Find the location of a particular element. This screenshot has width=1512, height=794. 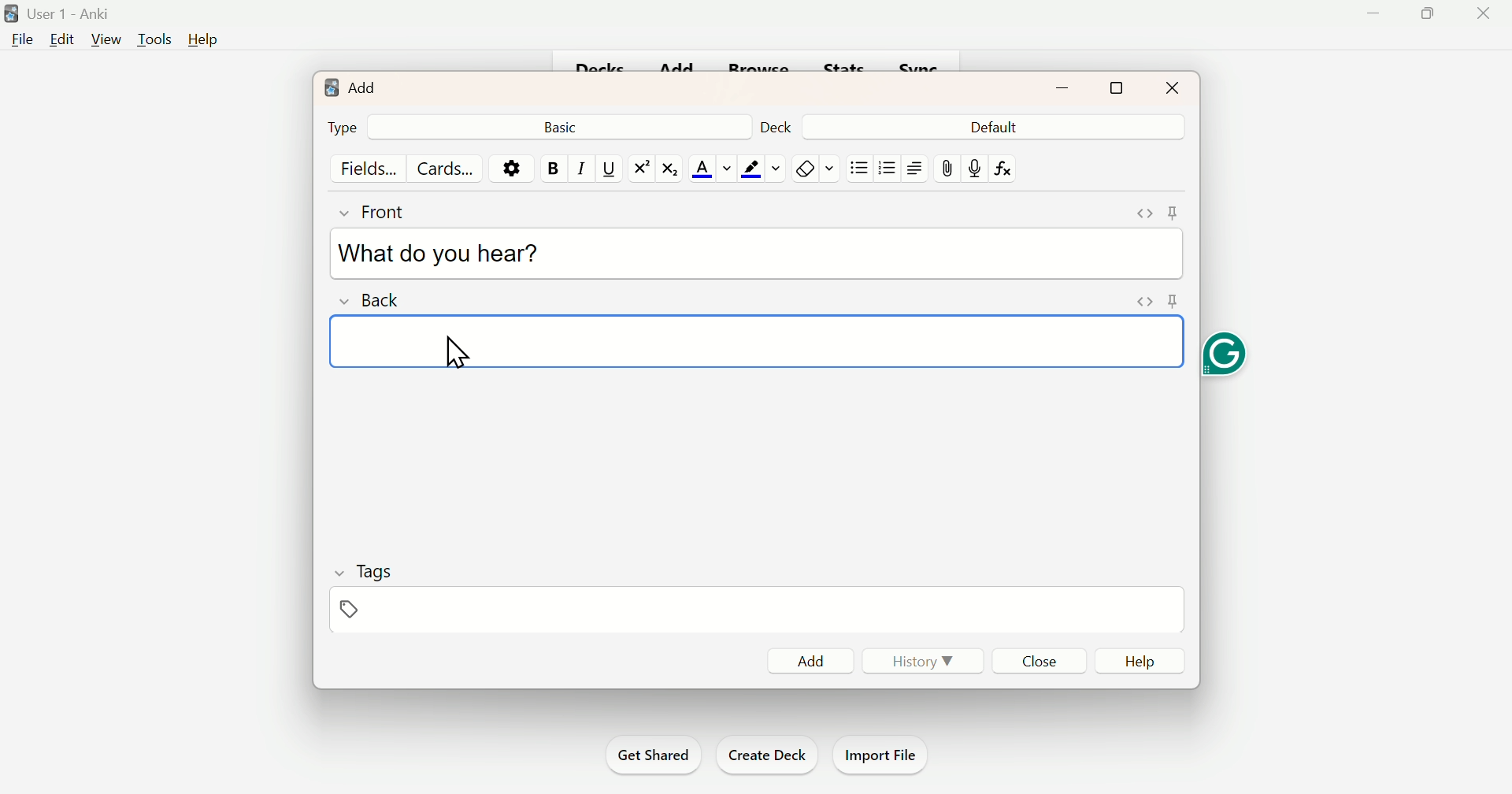

Cards... is located at coordinates (442, 167).